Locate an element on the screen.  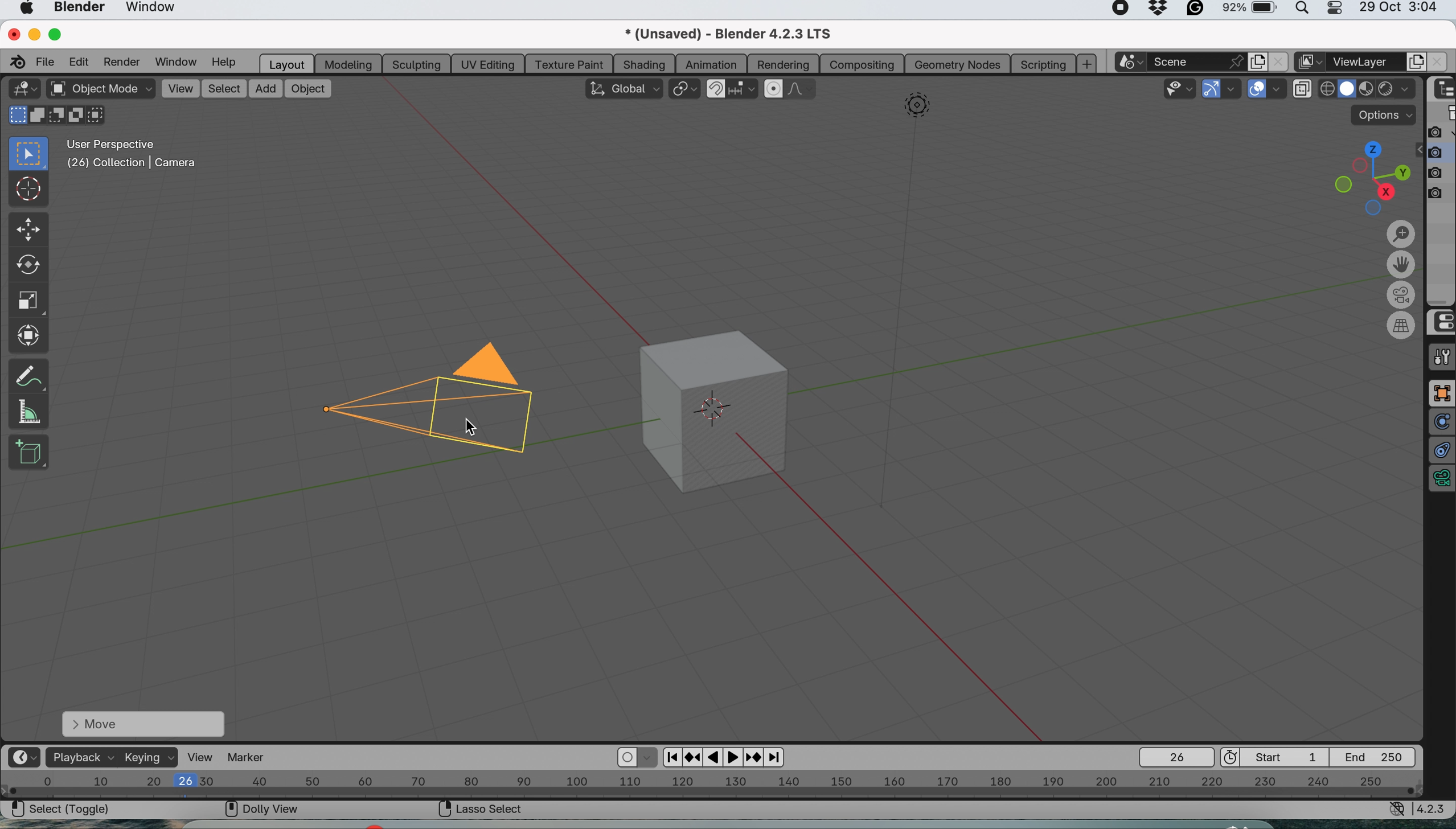
scalability and fallout is located at coordinates (1181, 88).